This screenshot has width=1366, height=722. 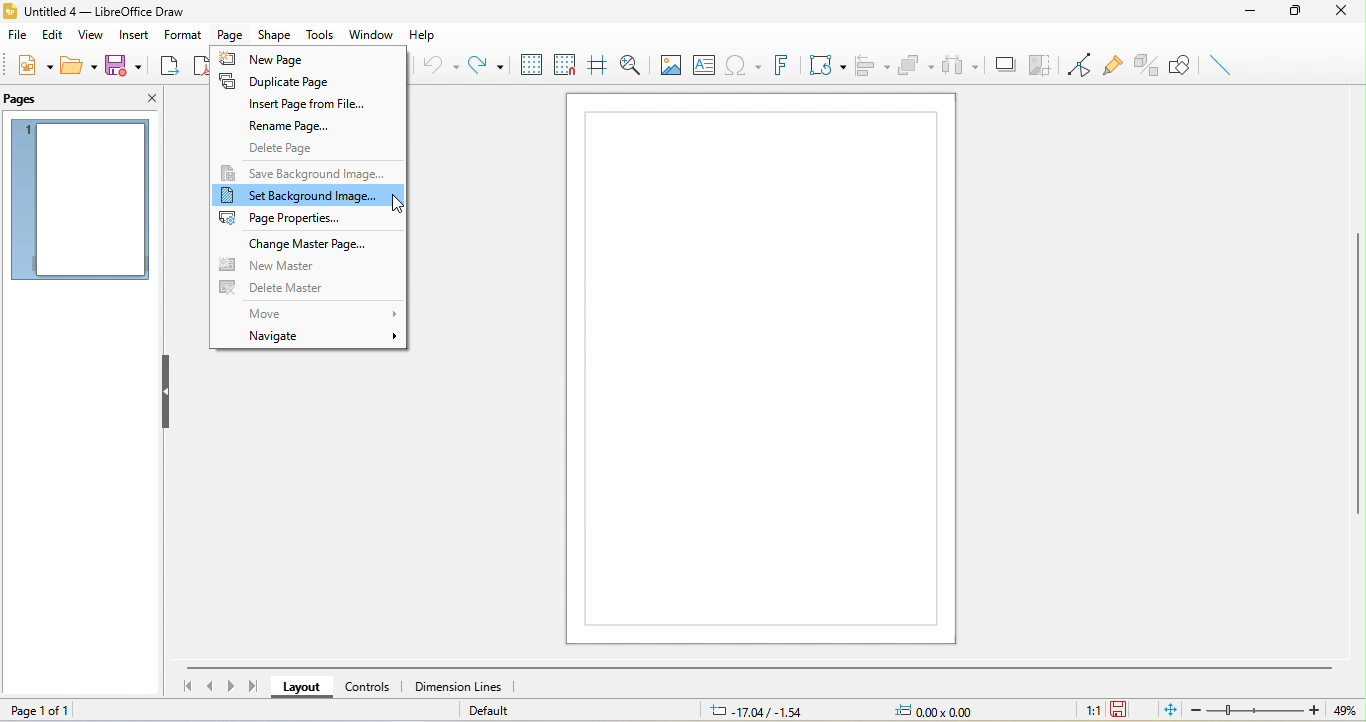 What do you see at coordinates (50, 711) in the screenshot?
I see `page 1 of 1` at bounding box center [50, 711].